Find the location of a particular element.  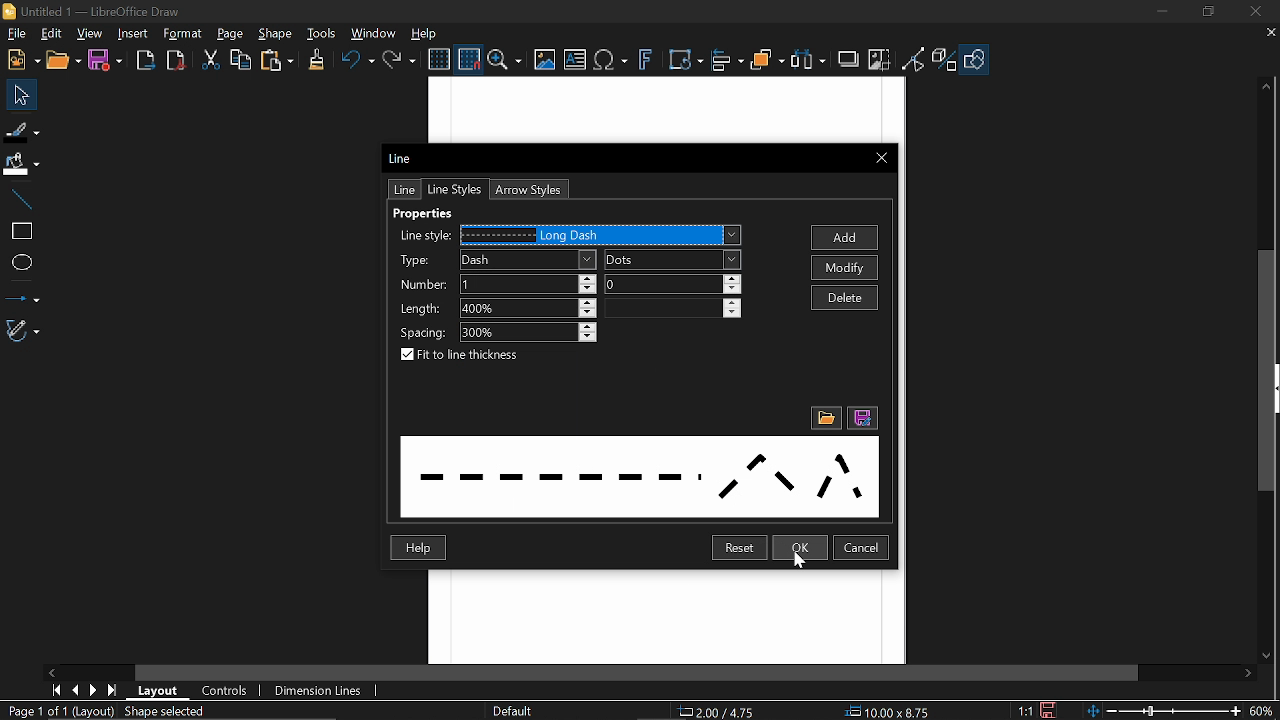

Display grid is located at coordinates (439, 60).